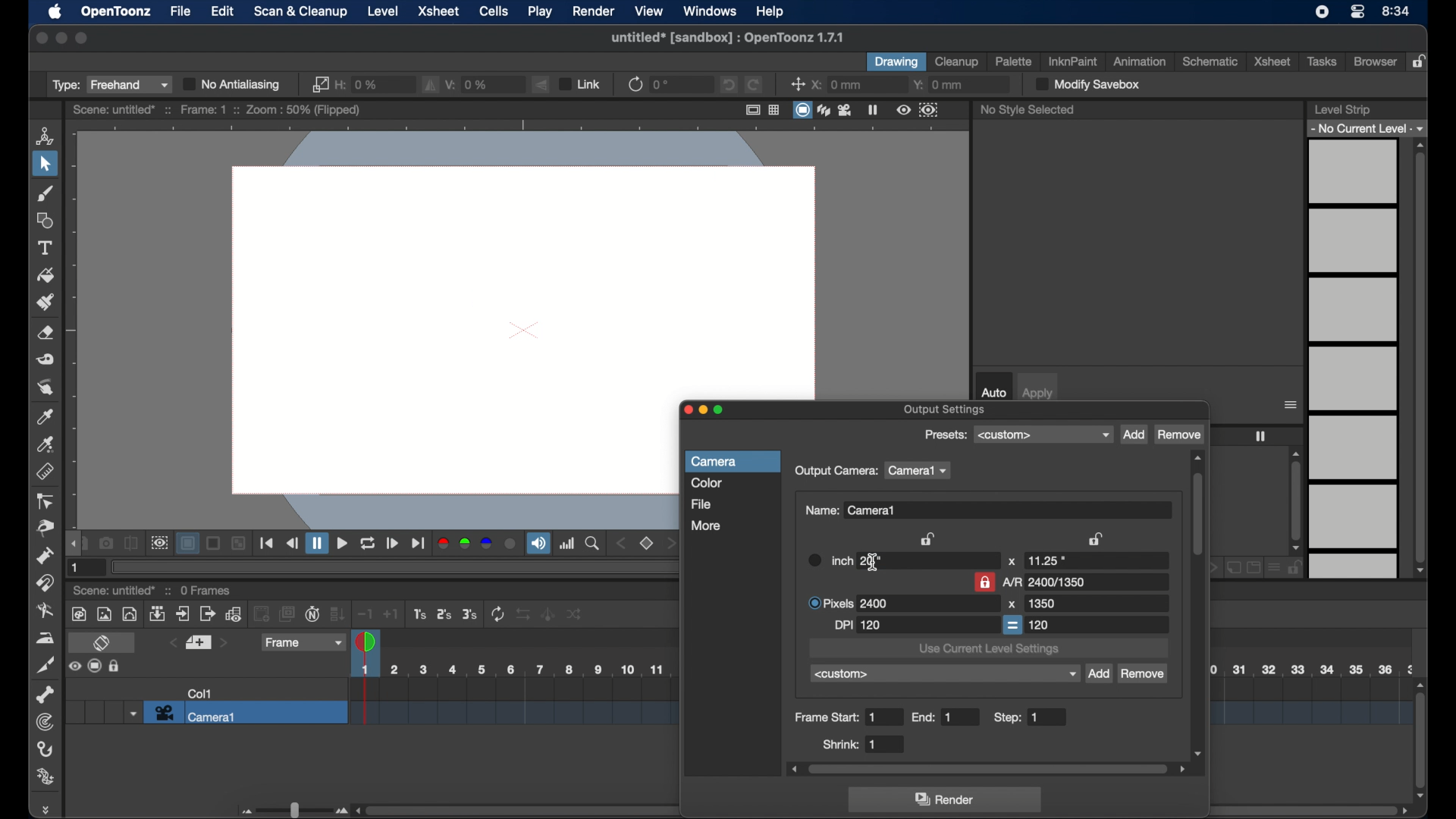  I want to click on close, so click(685, 412).